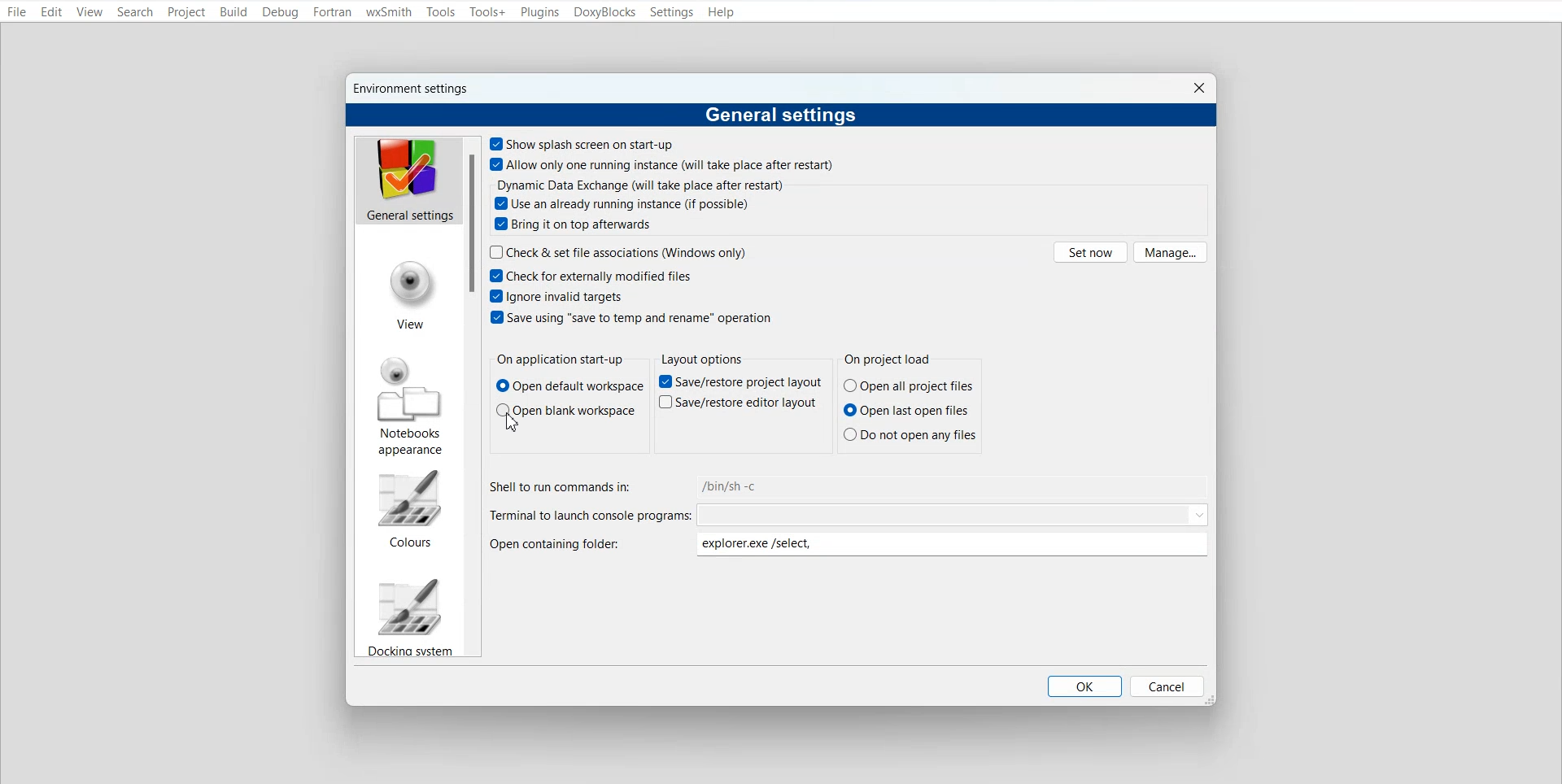  Describe the element at coordinates (233, 11) in the screenshot. I see `Build` at that location.